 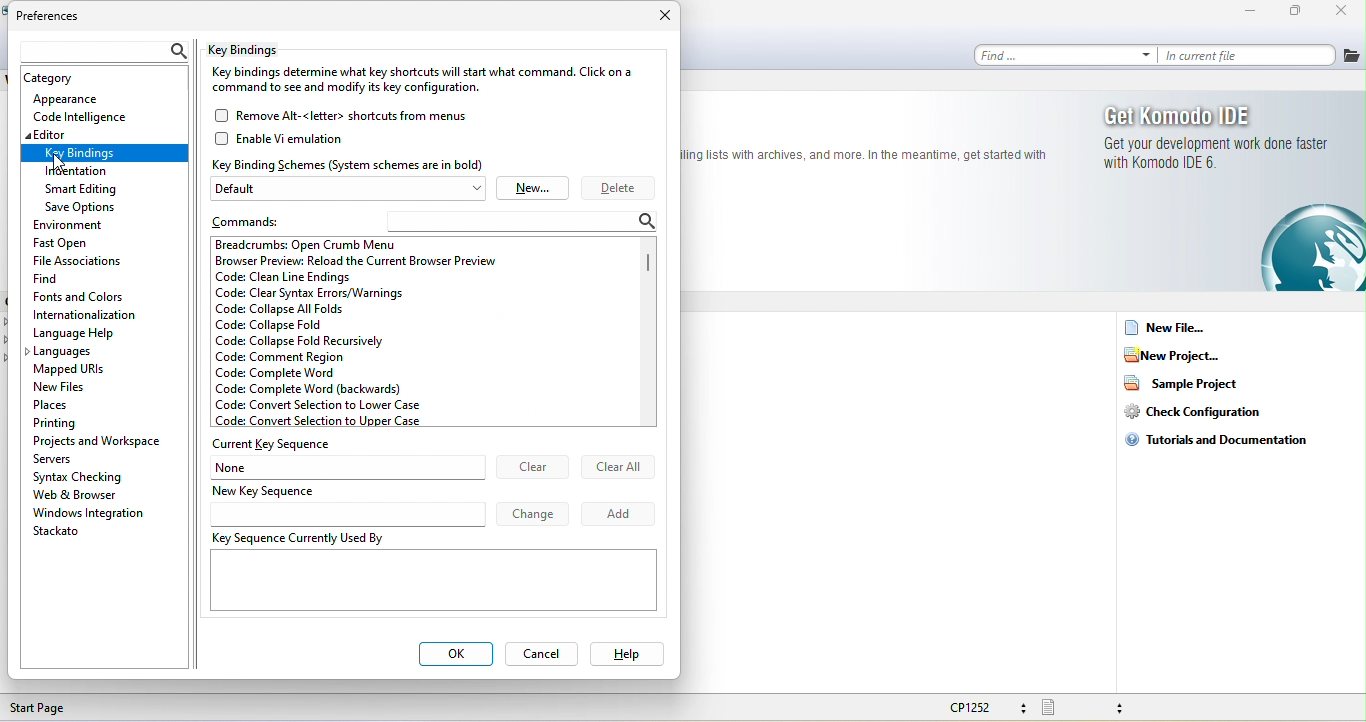 I want to click on clear, so click(x=532, y=468).